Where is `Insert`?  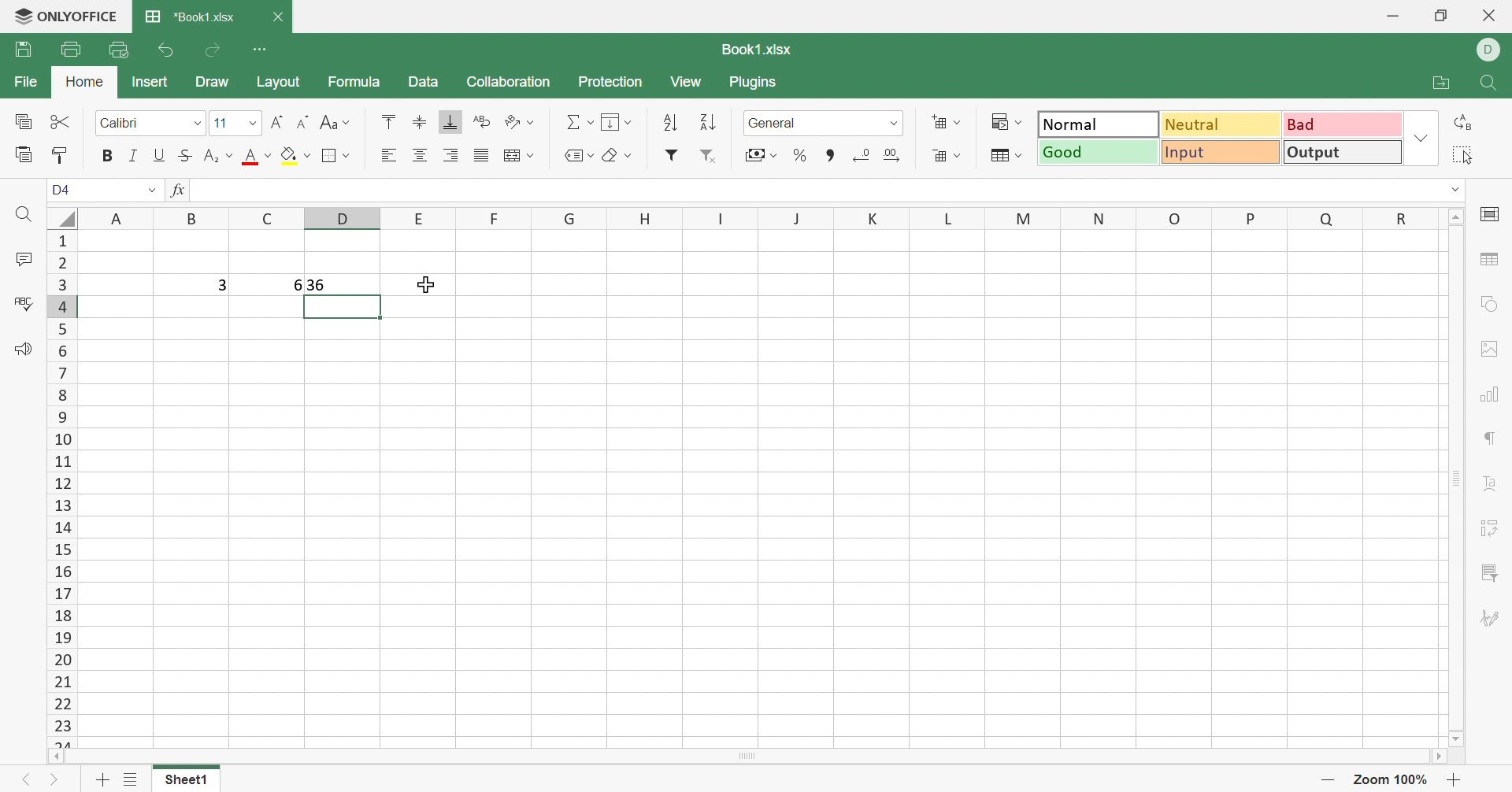
Insert is located at coordinates (154, 82).